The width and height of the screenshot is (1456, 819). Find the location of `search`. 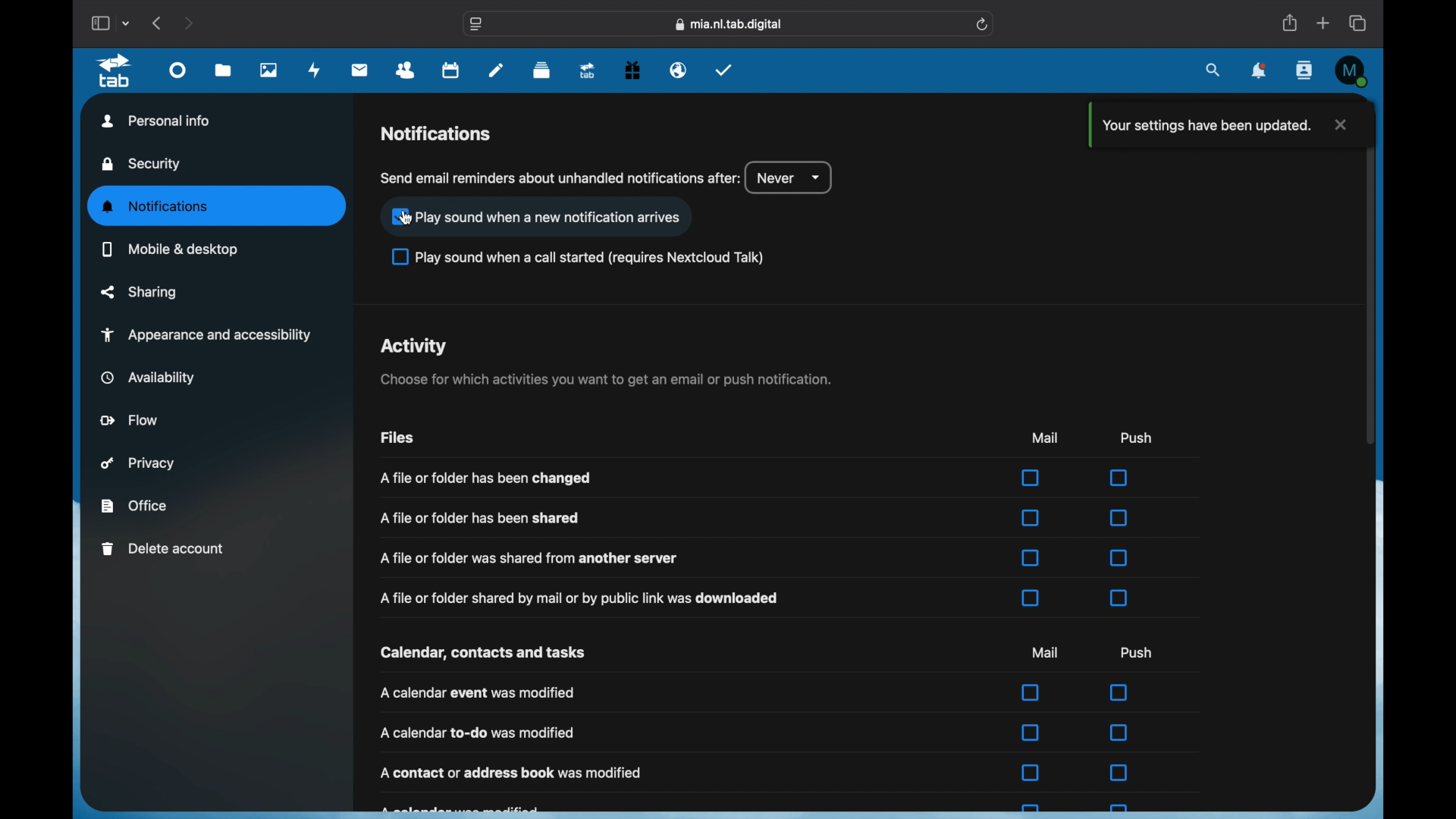

search is located at coordinates (1214, 69).